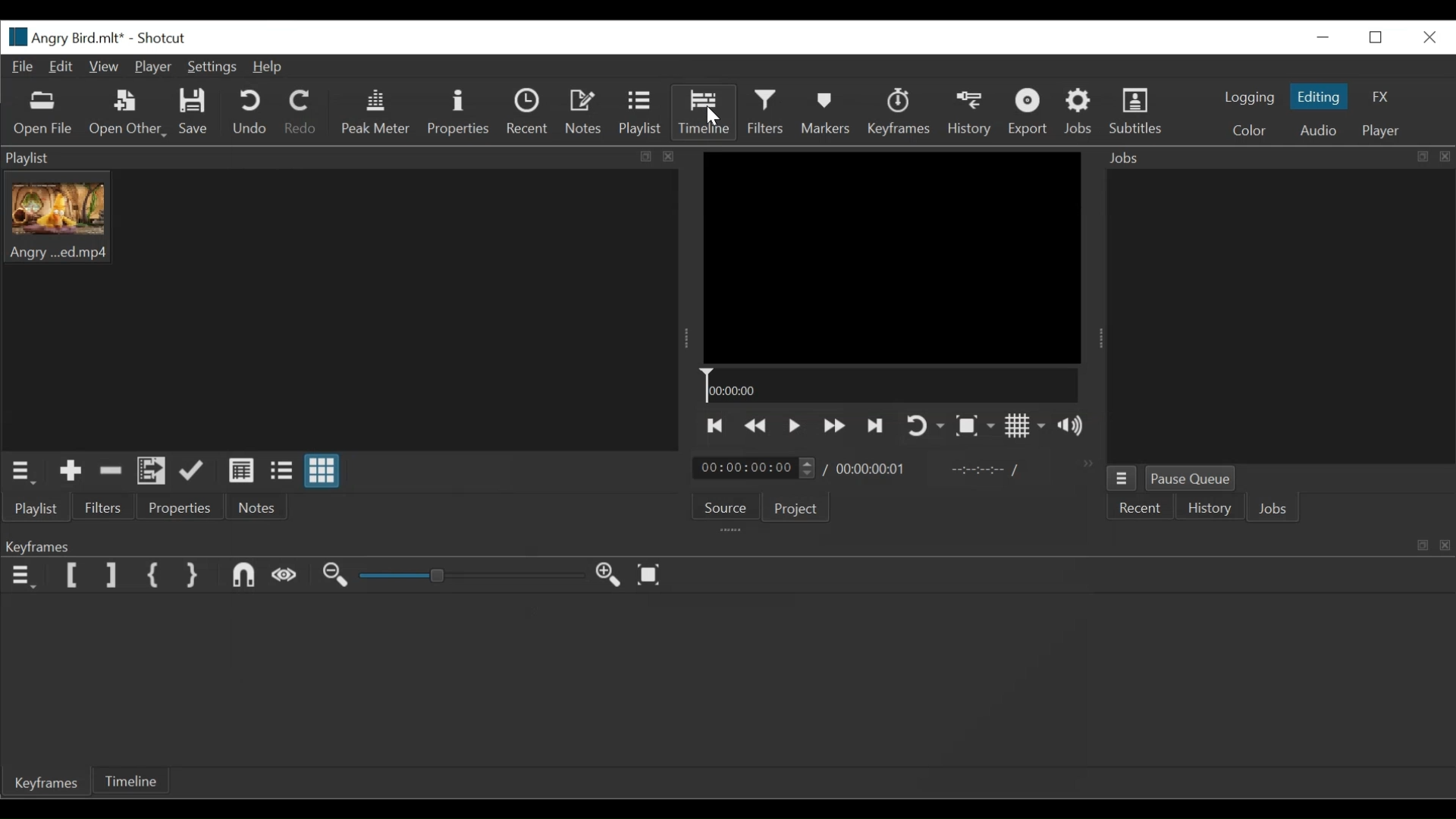  I want to click on Keyframes, so click(899, 111).